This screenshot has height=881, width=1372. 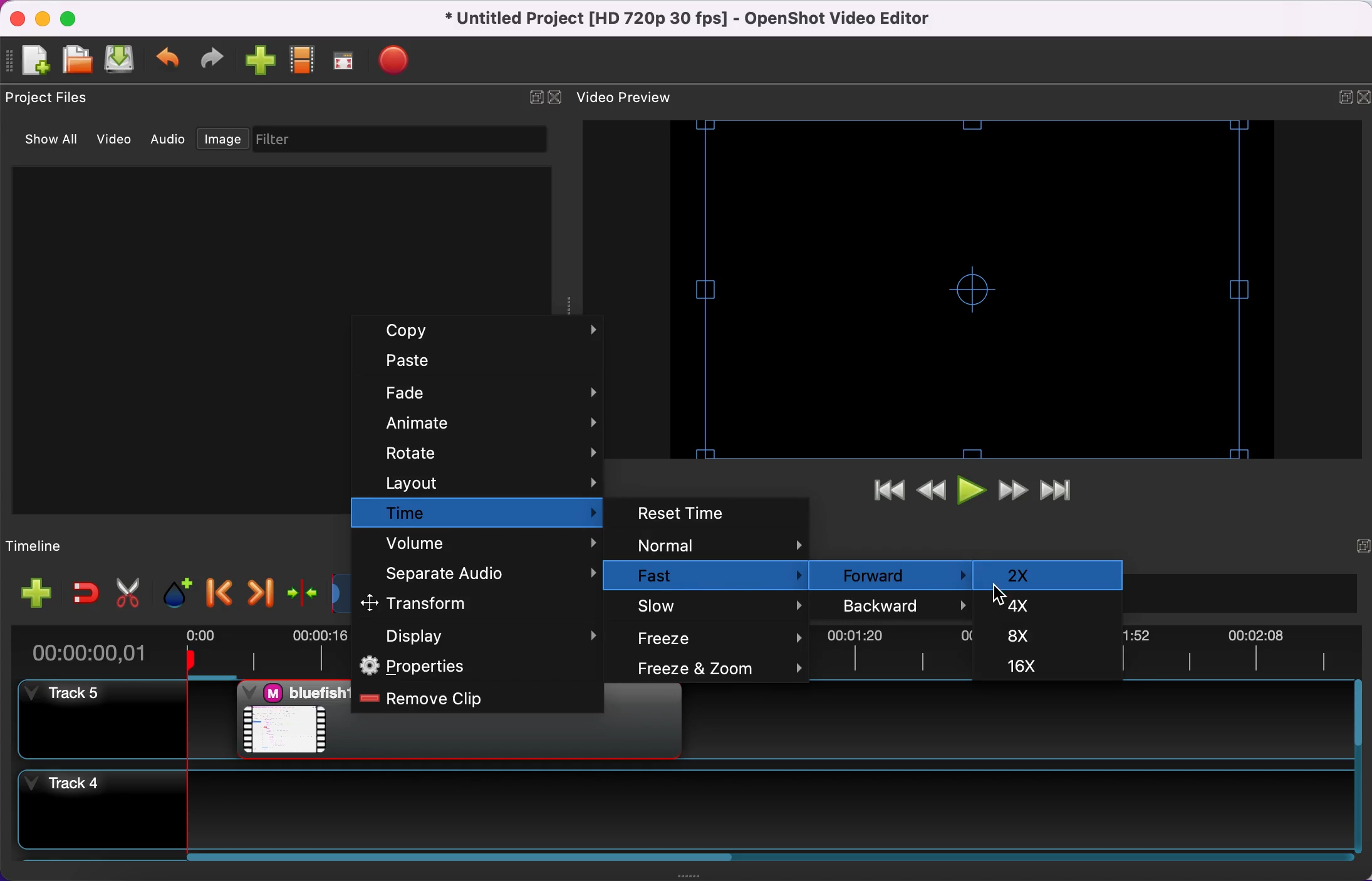 I want to click on time, so click(x=475, y=513).